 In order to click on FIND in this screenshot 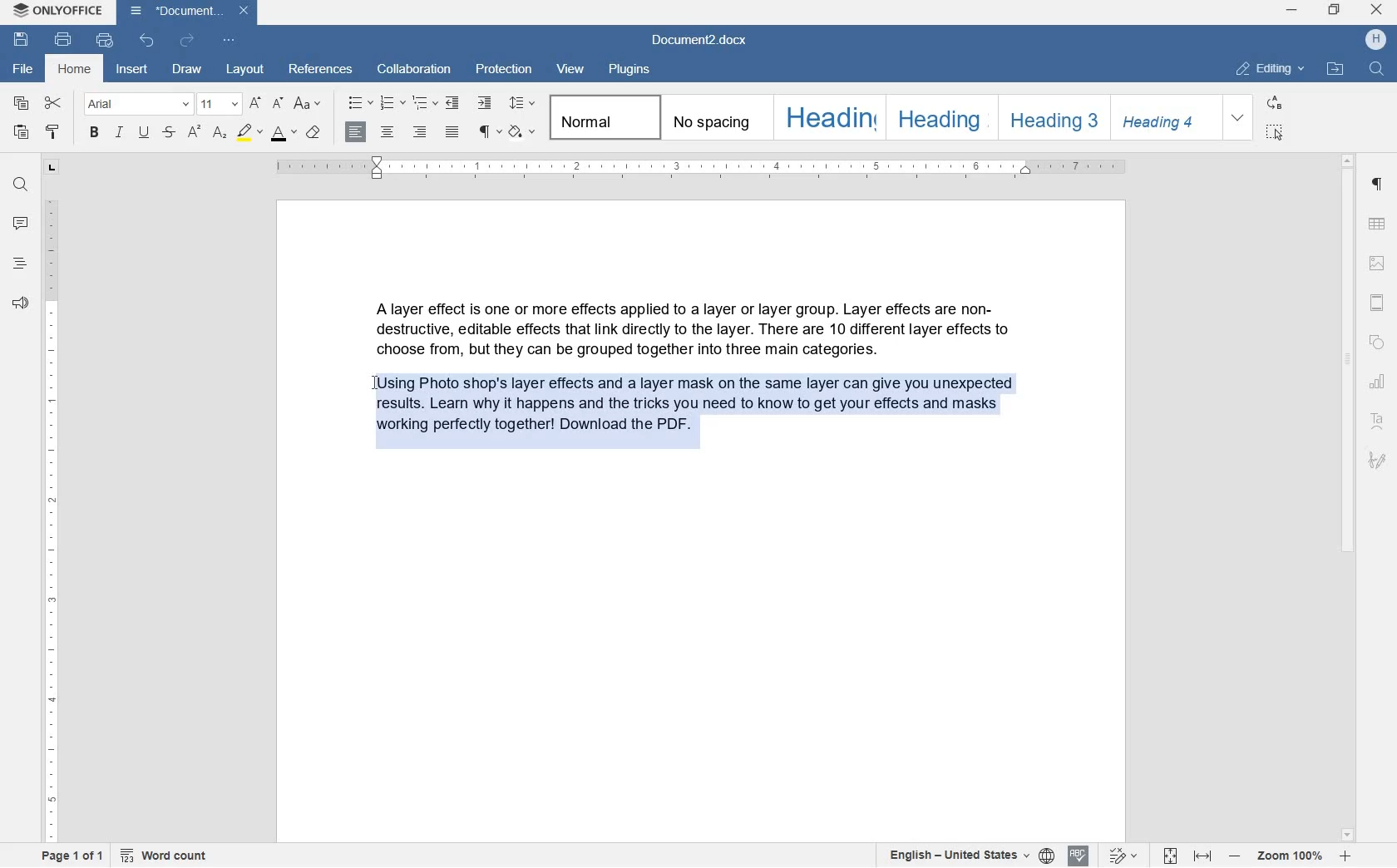, I will do `click(21, 186)`.